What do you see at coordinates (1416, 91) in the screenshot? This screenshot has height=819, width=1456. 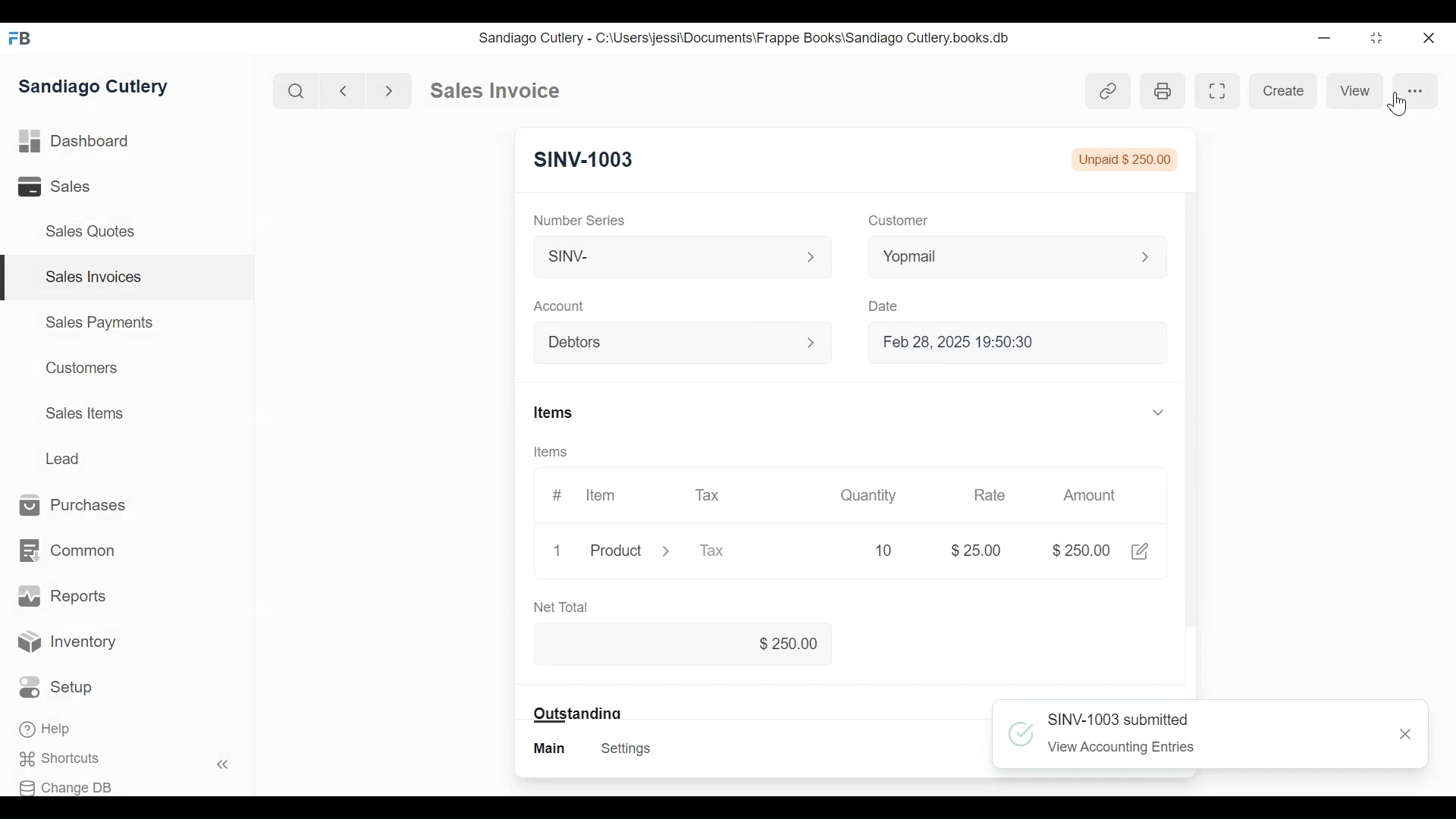 I see `more` at bounding box center [1416, 91].